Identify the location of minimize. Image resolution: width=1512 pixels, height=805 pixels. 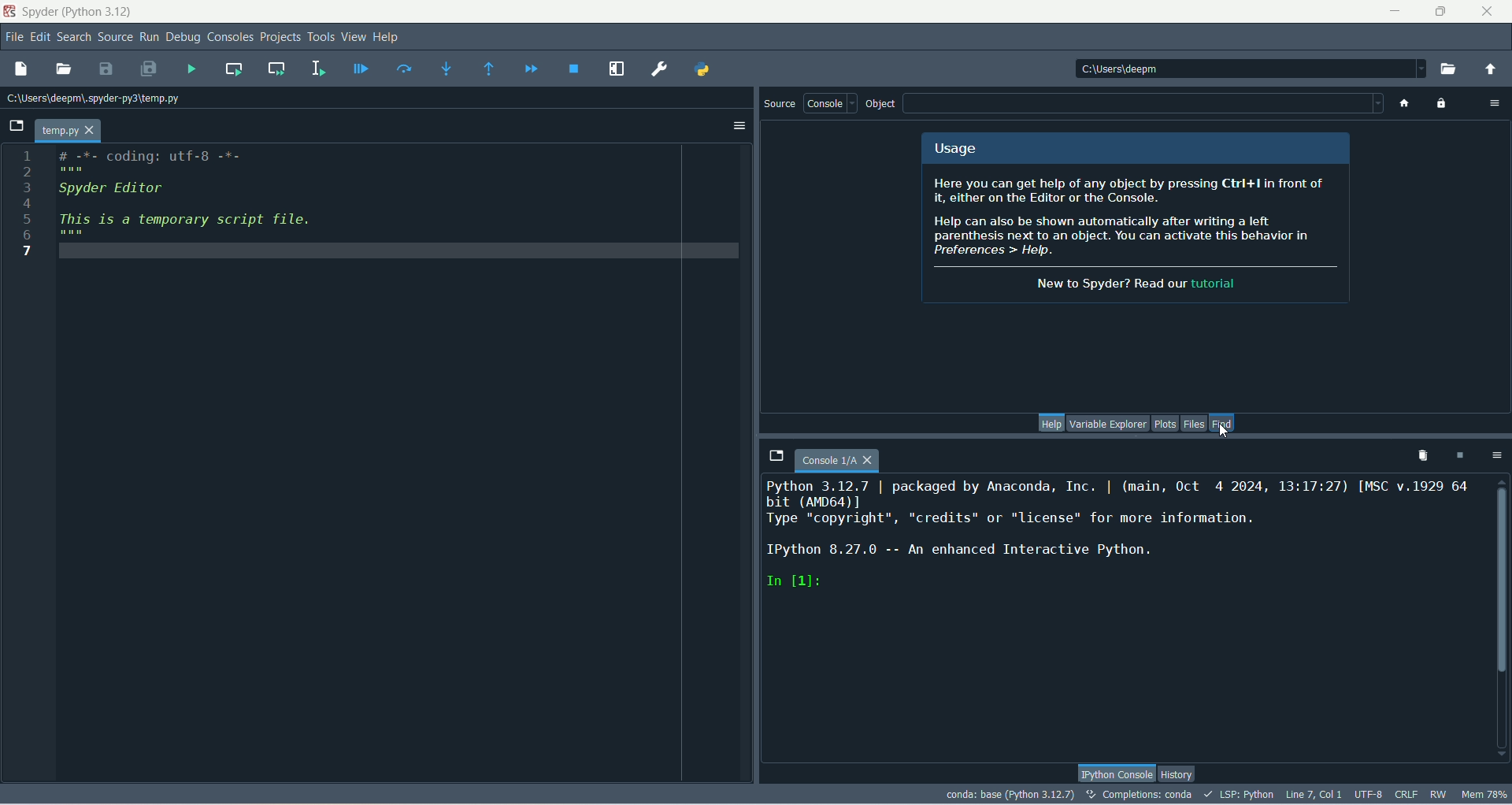
(1391, 9).